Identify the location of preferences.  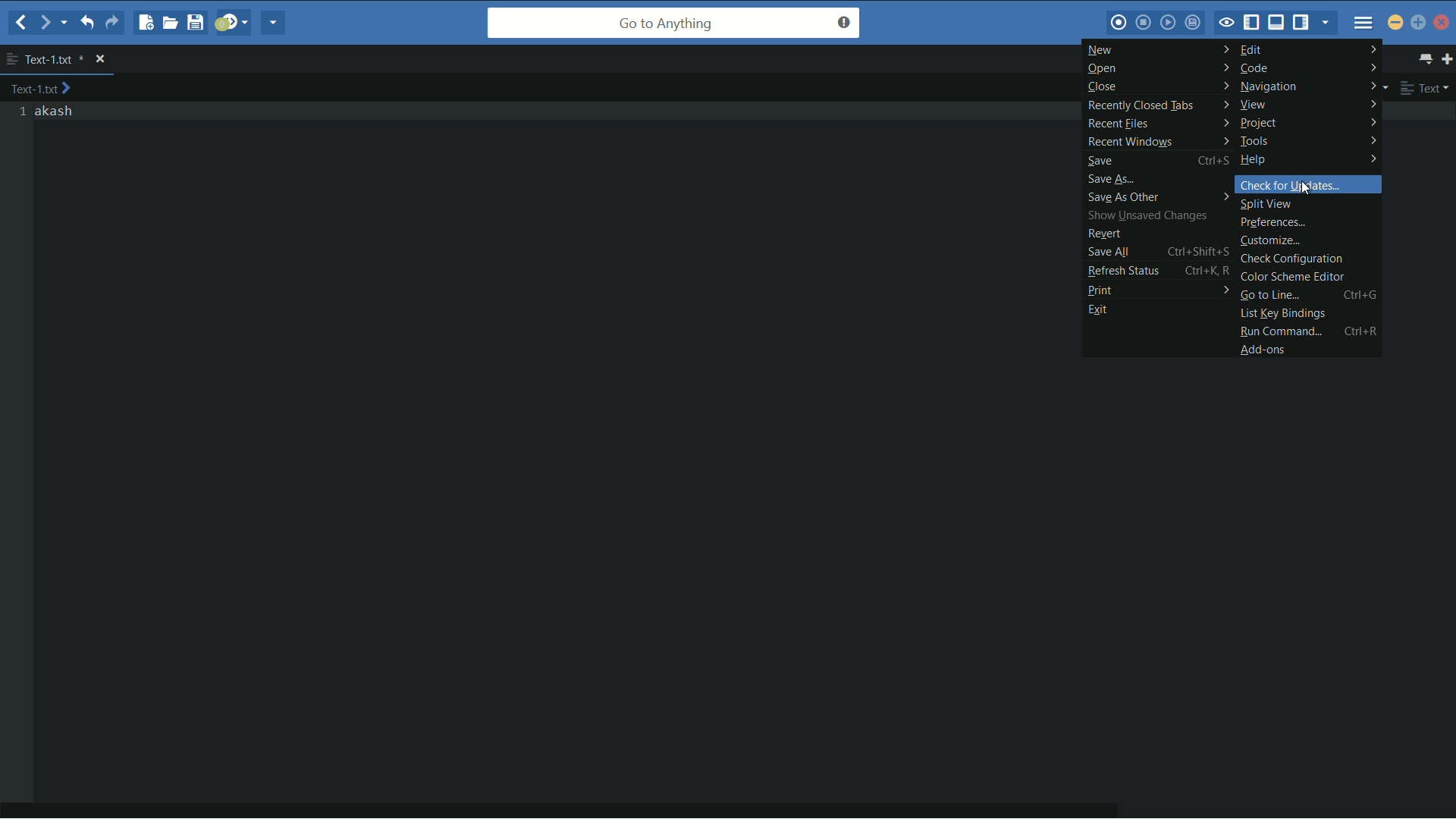
(1307, 222).